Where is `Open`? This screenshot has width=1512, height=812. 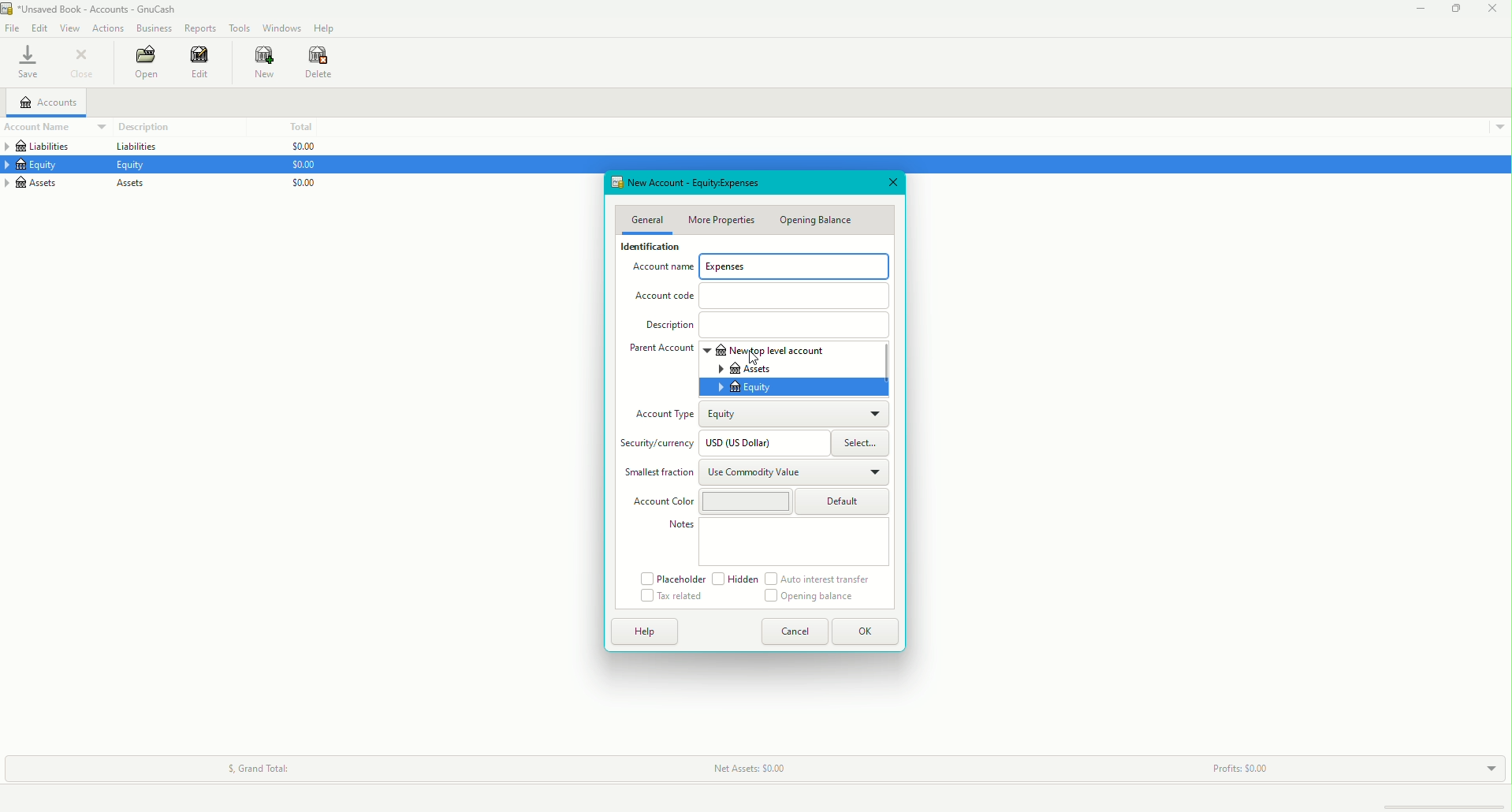
Open is located at coordinates (142, 63).